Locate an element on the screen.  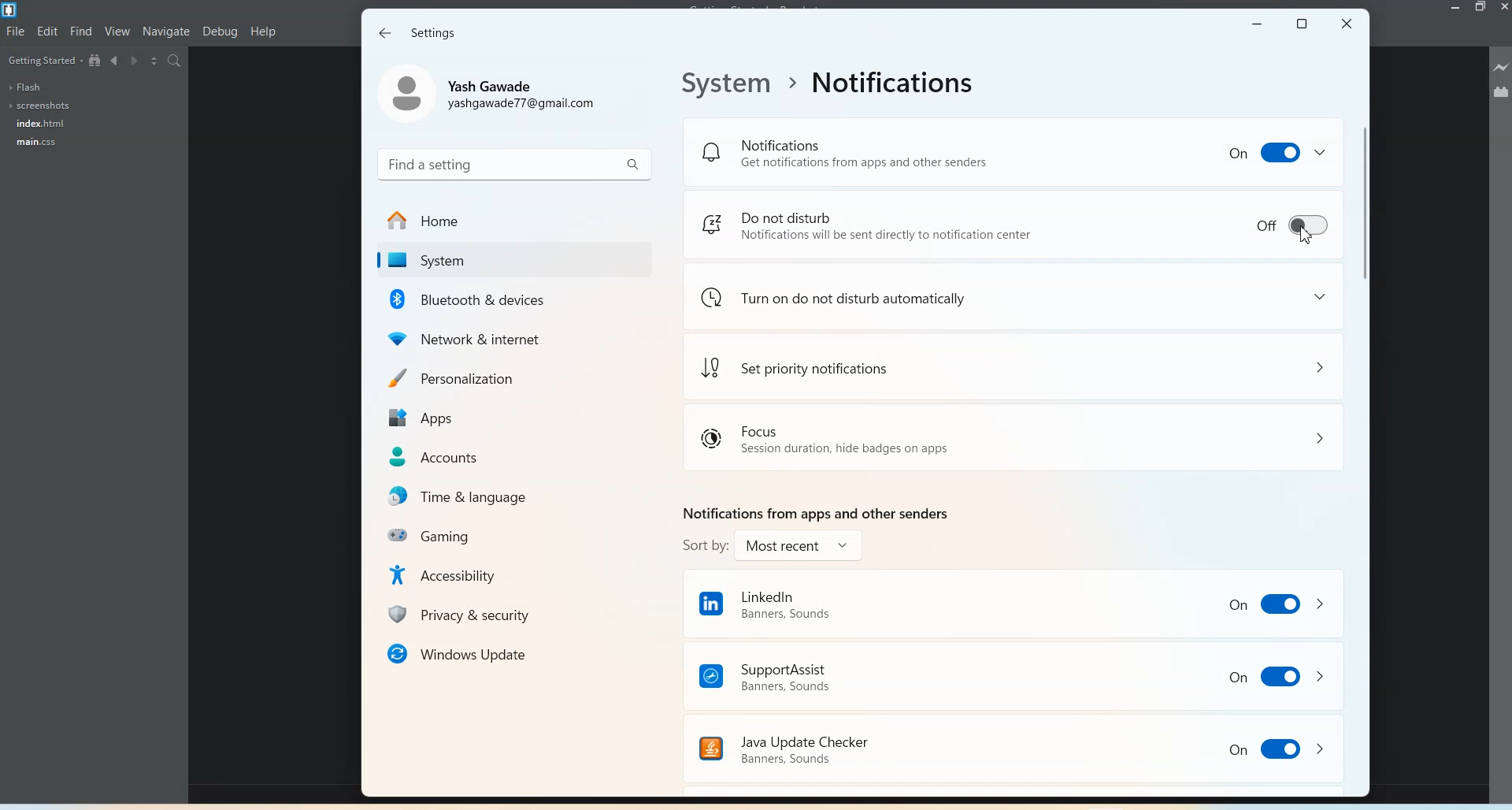
File is located at coordinates (16, 32).